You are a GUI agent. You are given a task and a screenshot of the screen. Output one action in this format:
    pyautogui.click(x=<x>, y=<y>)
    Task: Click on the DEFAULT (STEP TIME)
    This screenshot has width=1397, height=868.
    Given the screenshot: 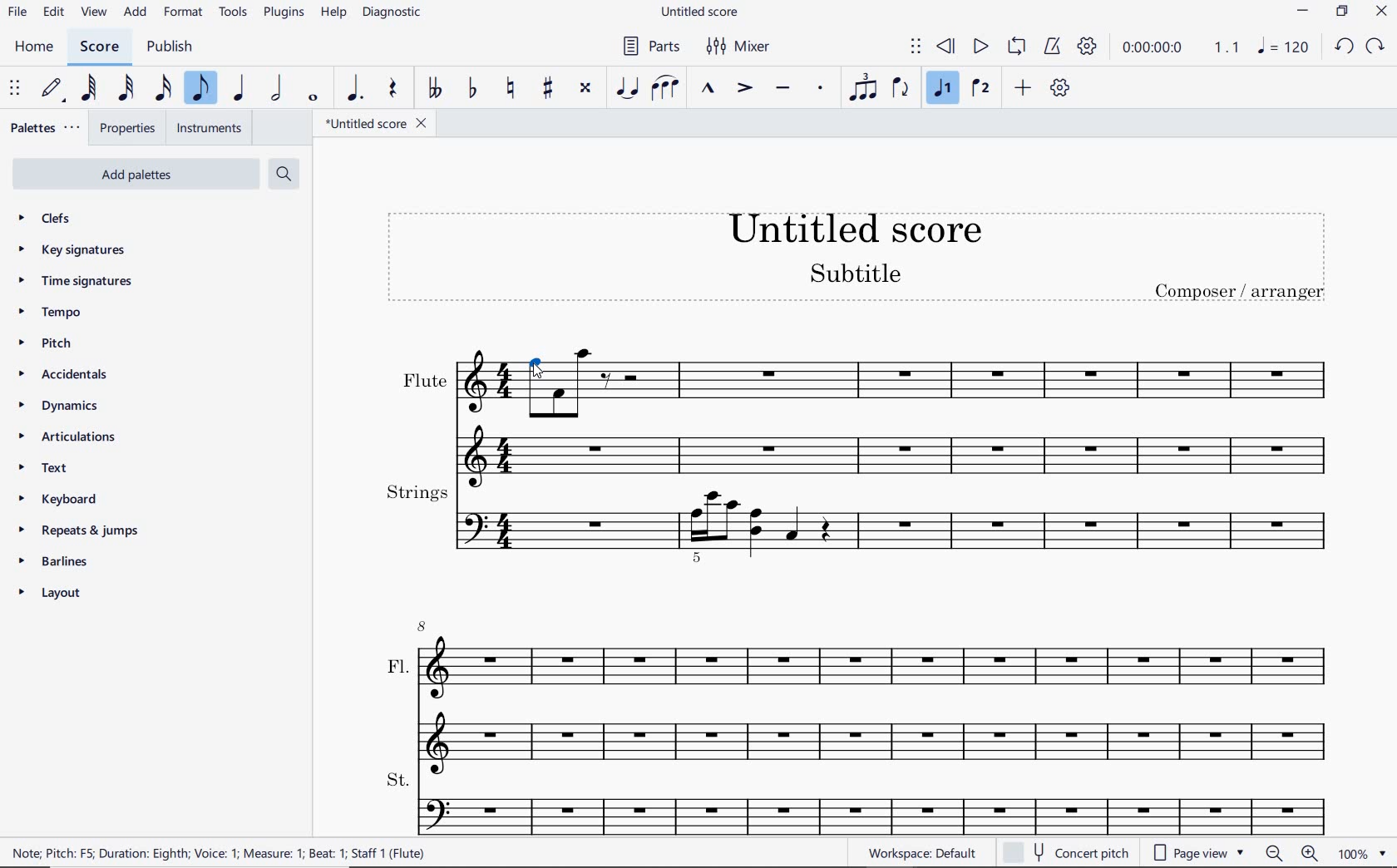 What is the action you would take?
    pyautogui.click(x=50, y=89)
    